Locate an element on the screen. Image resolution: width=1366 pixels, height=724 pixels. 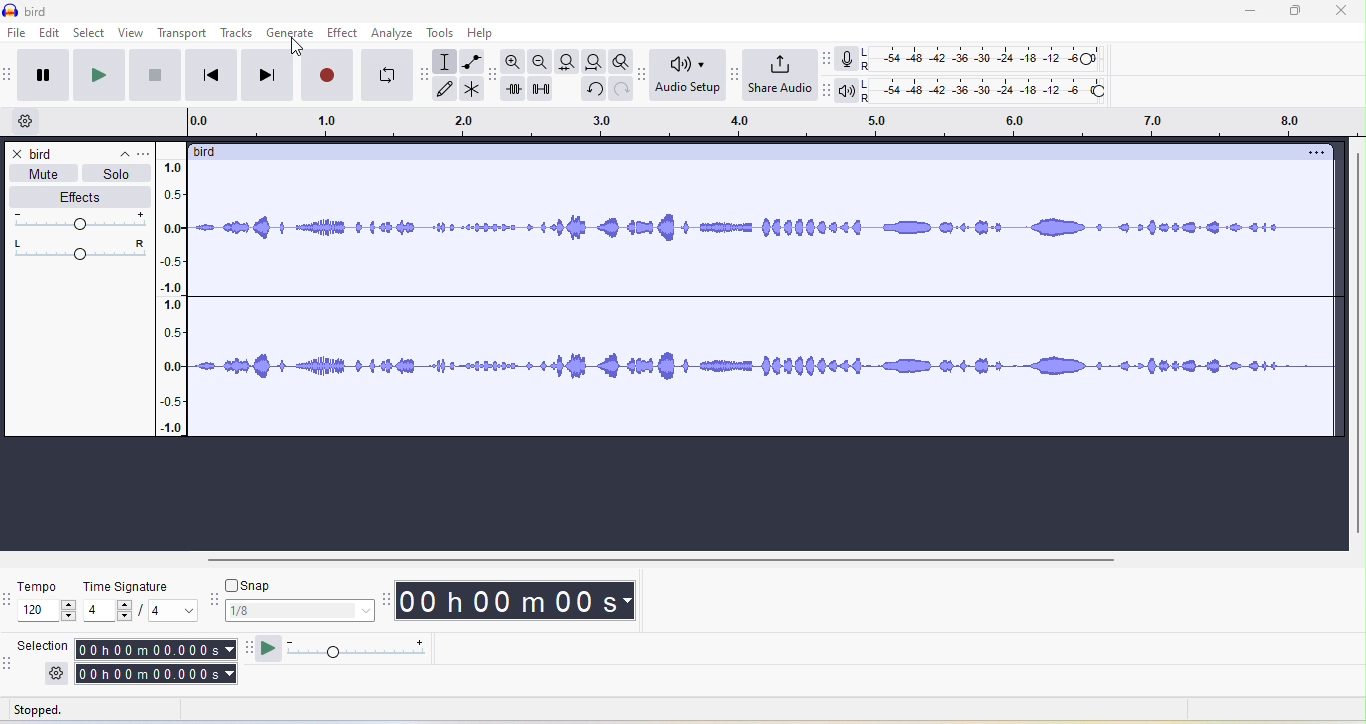
audacity transport toolbar  is located at coordinates (9, 78).